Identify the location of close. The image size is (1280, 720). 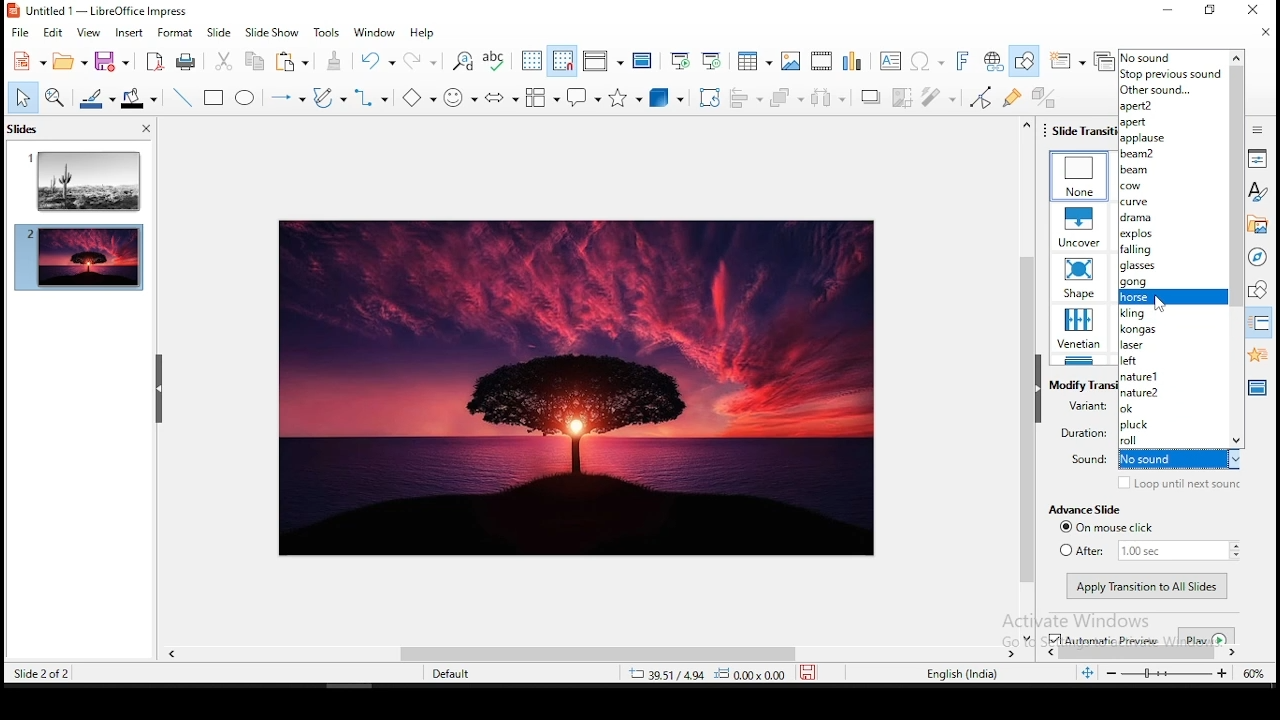
(1263, 32).